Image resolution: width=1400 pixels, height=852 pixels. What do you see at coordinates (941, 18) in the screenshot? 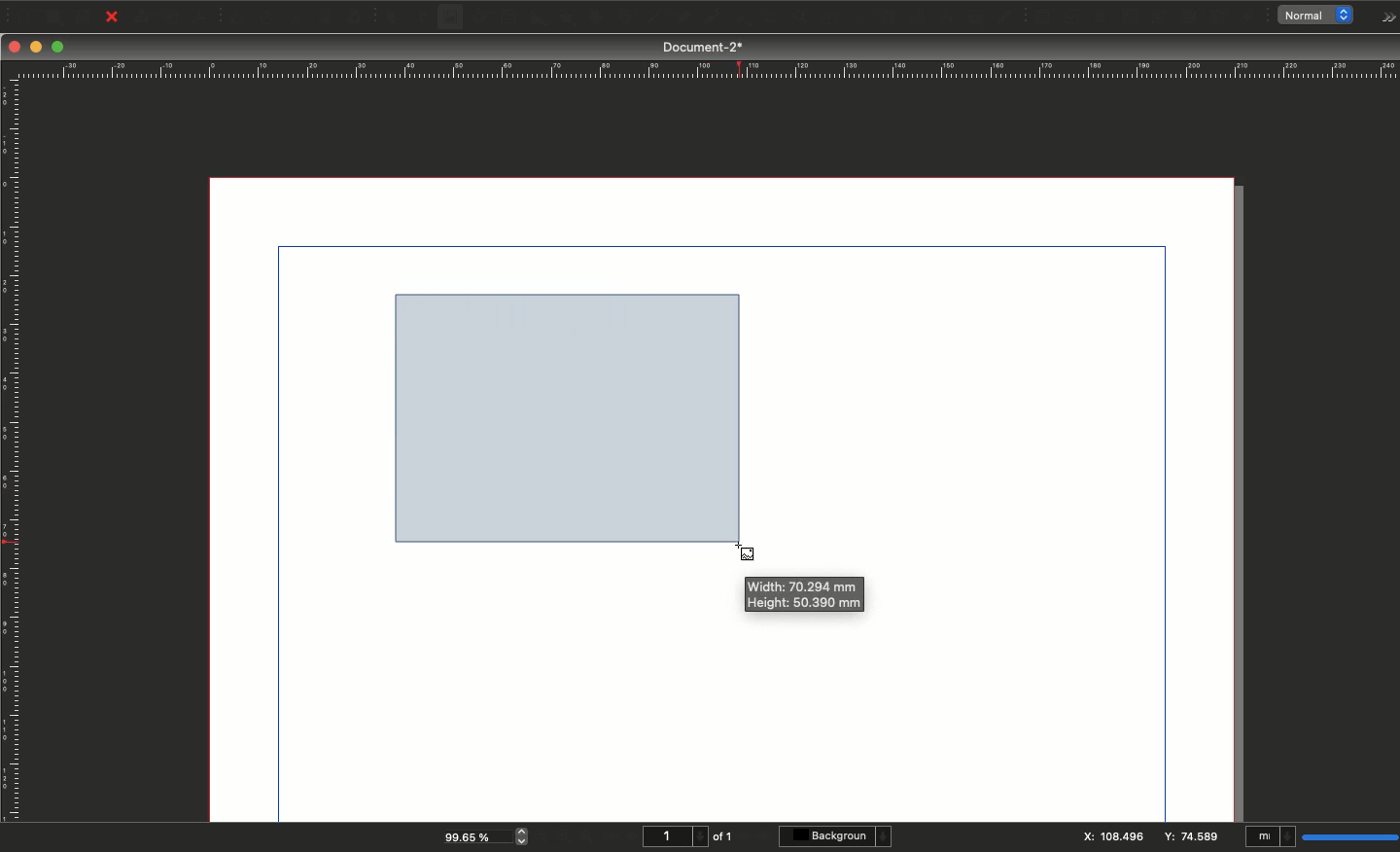
I see `Measurements` at bounding box center [941, 18].